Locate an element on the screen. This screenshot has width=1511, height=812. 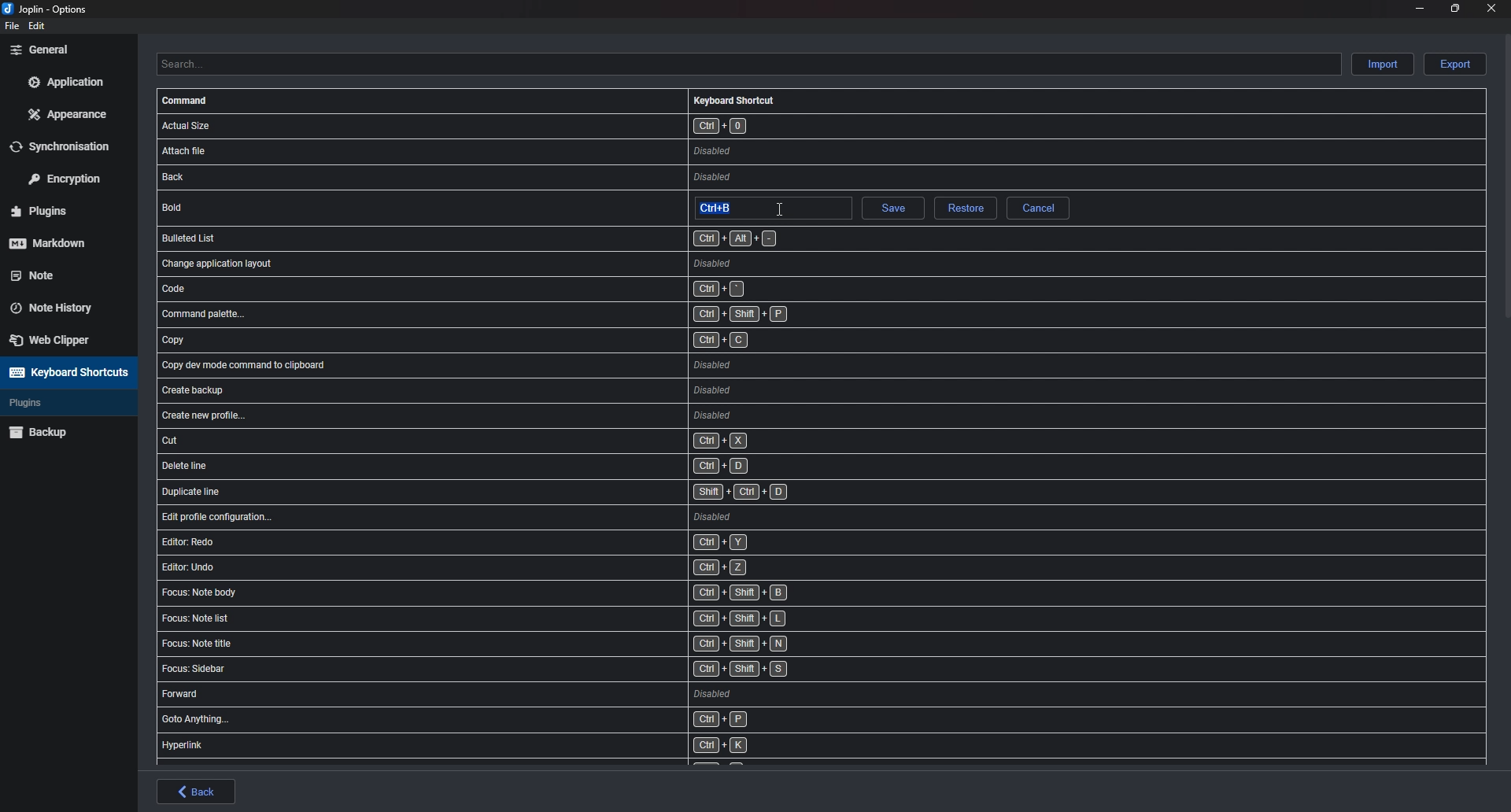
Command is located at coordinates (187, 101).